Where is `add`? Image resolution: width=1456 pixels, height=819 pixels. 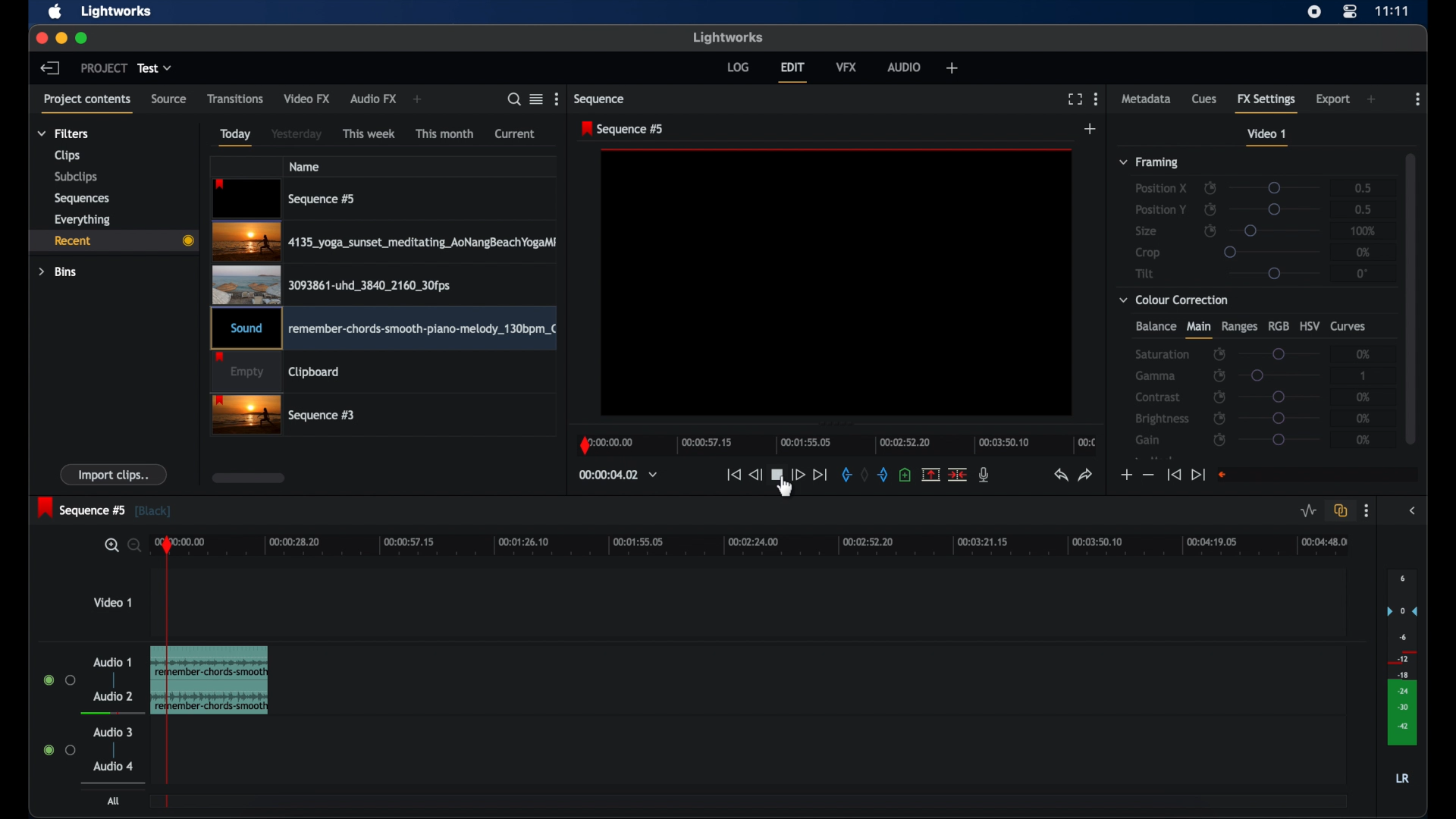
add is located at coordinates (420, 99).